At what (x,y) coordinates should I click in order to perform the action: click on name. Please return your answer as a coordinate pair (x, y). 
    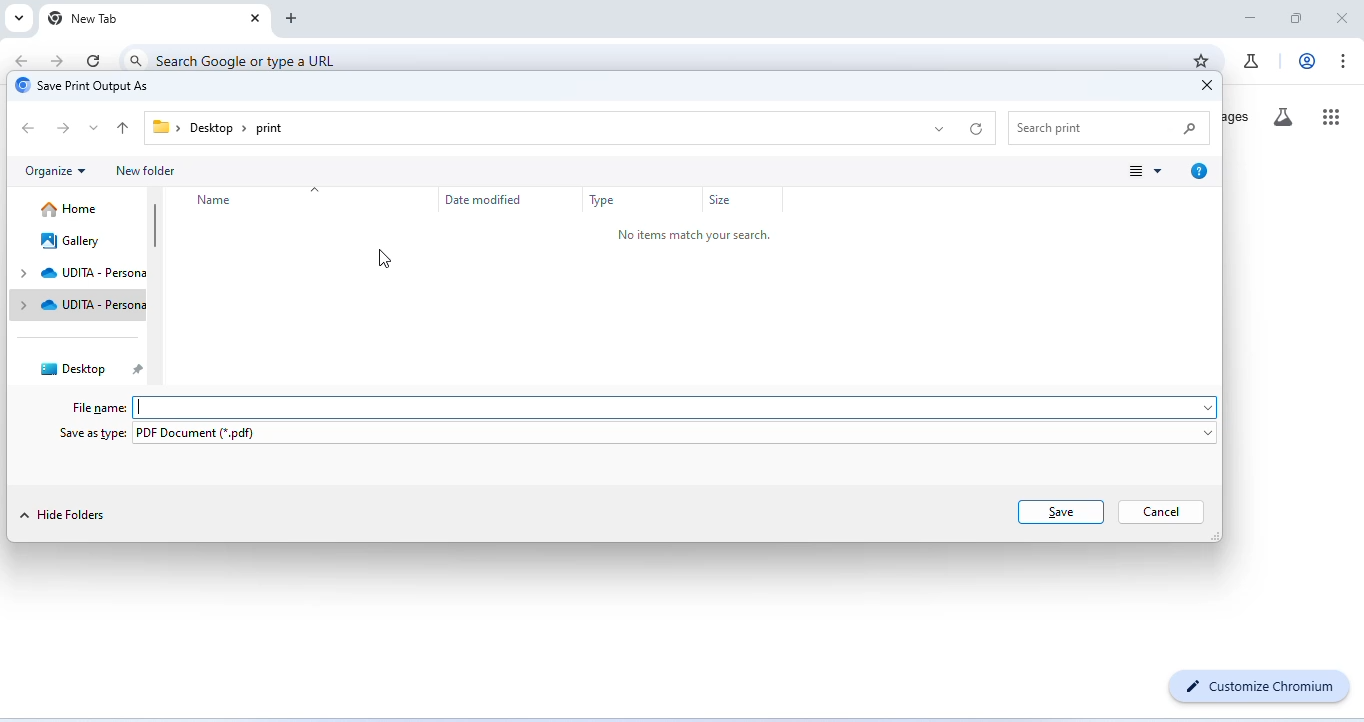
    Looking at the image, I should click on (217, 201).